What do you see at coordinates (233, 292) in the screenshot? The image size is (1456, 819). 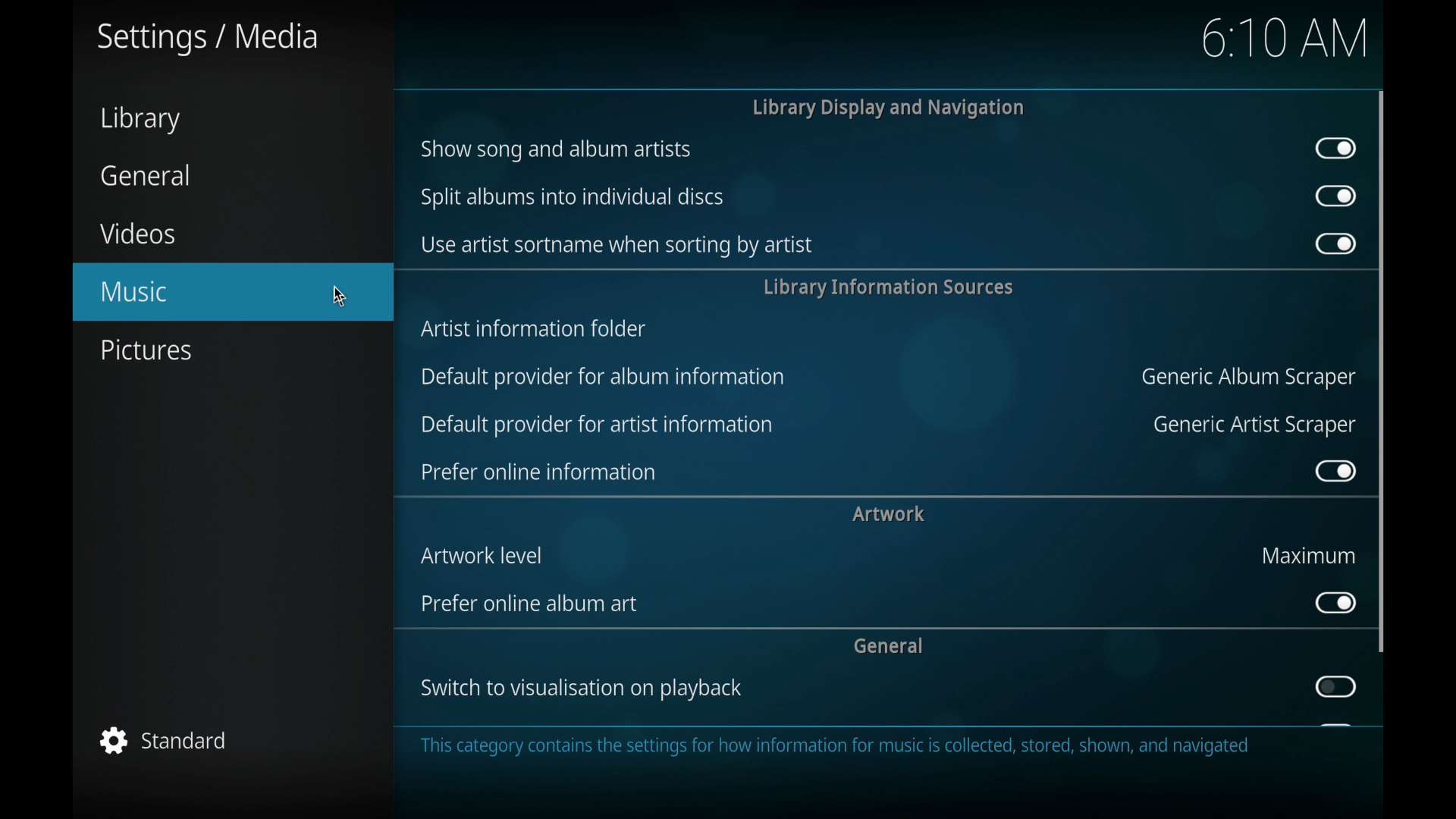 I see `music` at bounding box center [233, 292].